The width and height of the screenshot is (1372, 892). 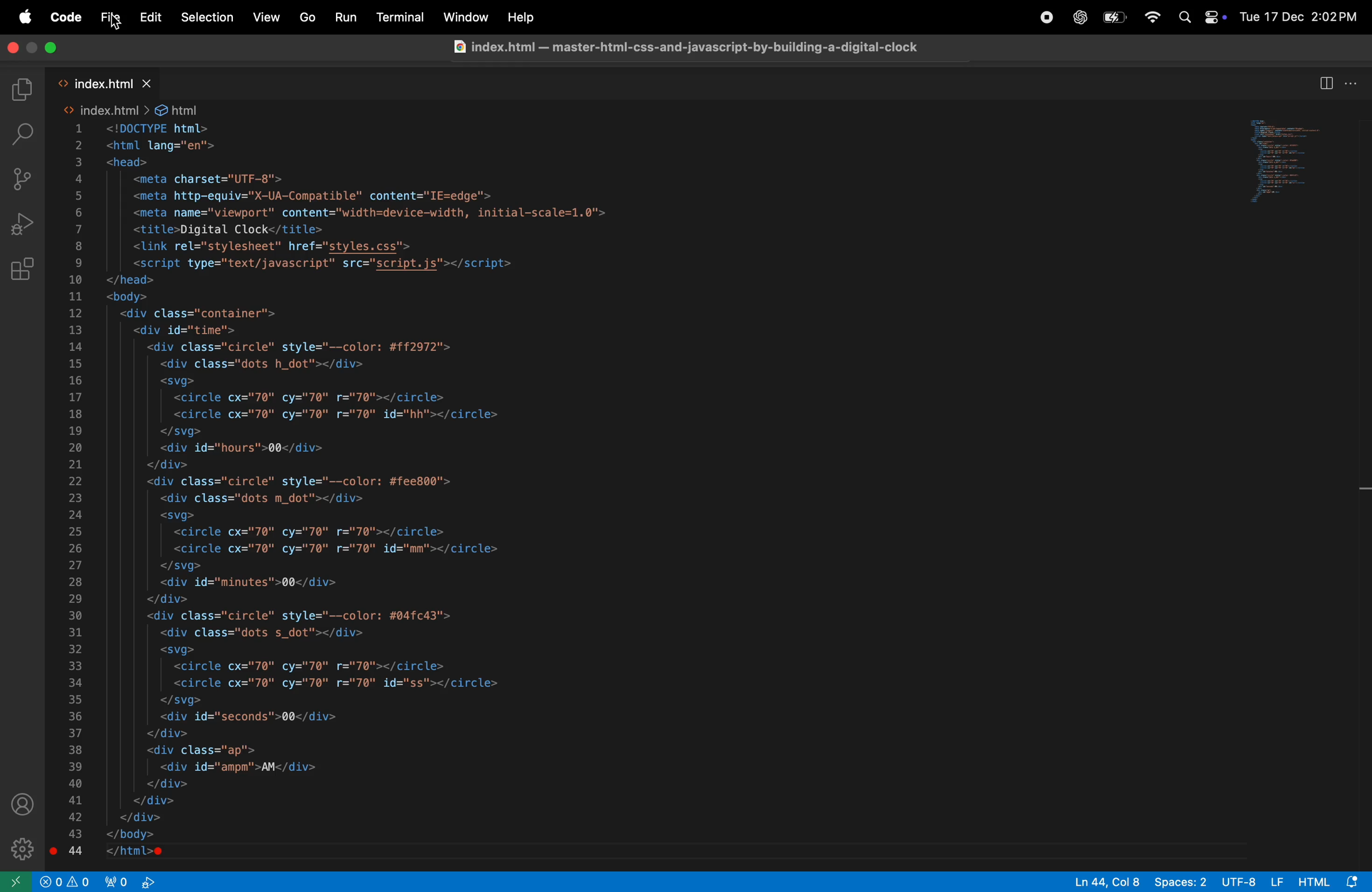 I want to click on UTF 8 LF, so click(x=1252, y=882).